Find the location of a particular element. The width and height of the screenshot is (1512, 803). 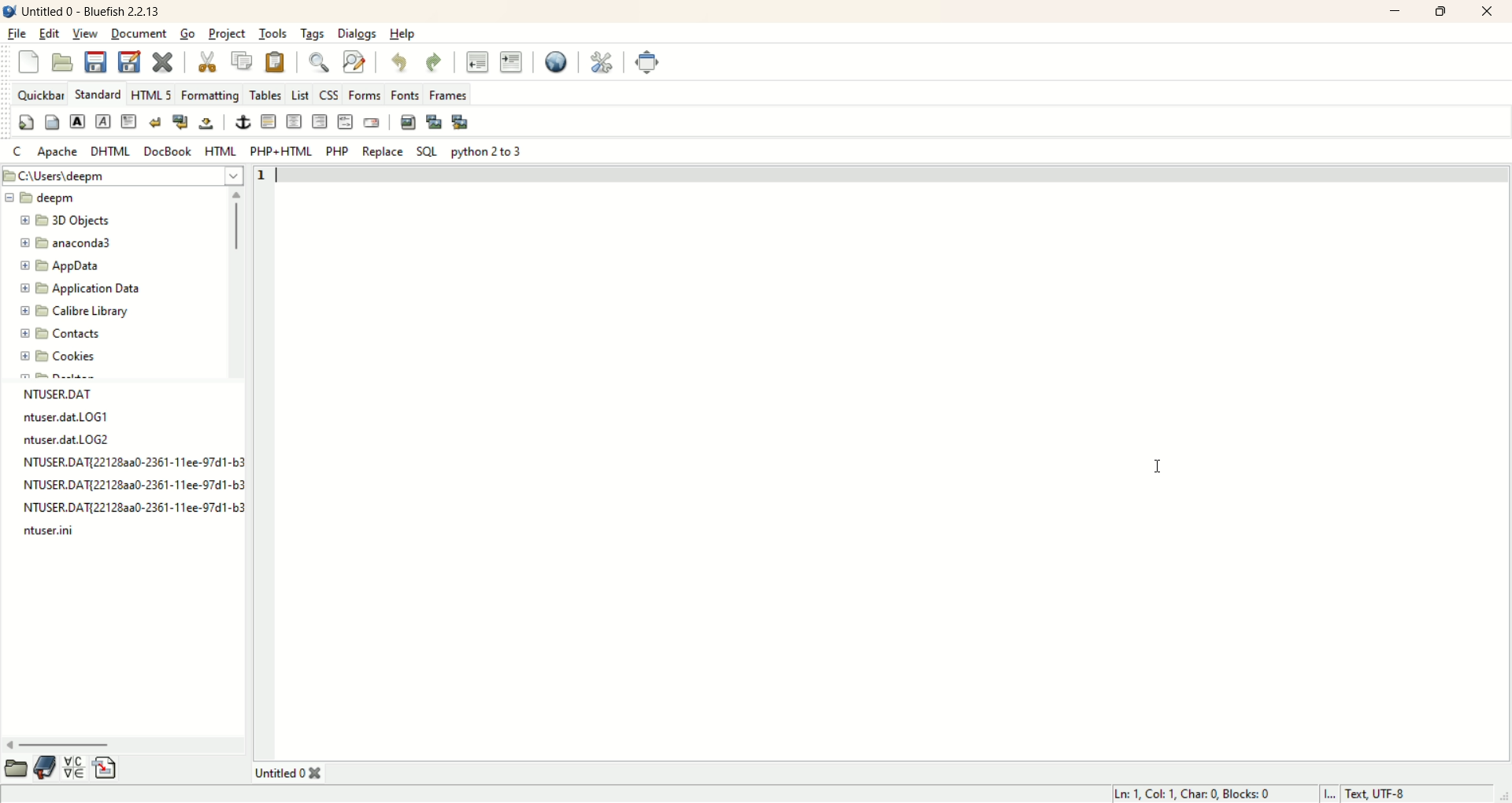

frames is located at coordinates (450, 95).